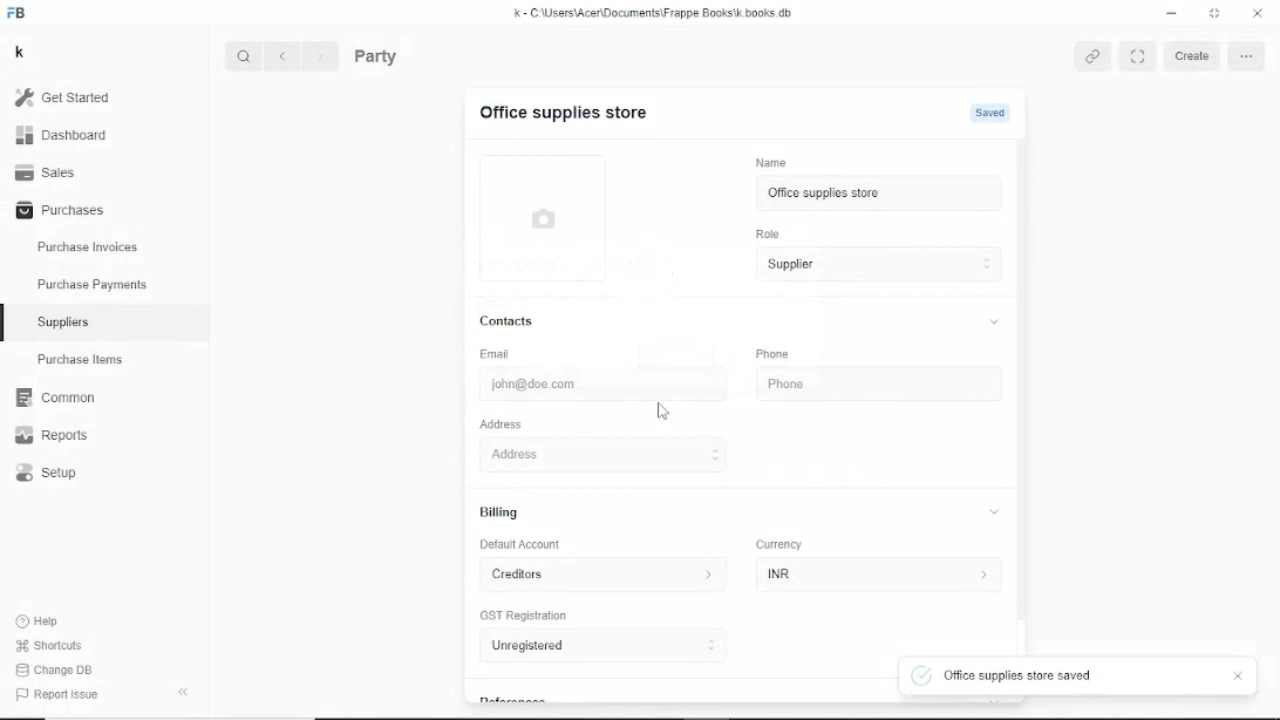  I want to click on Default account, so click(522, 545).